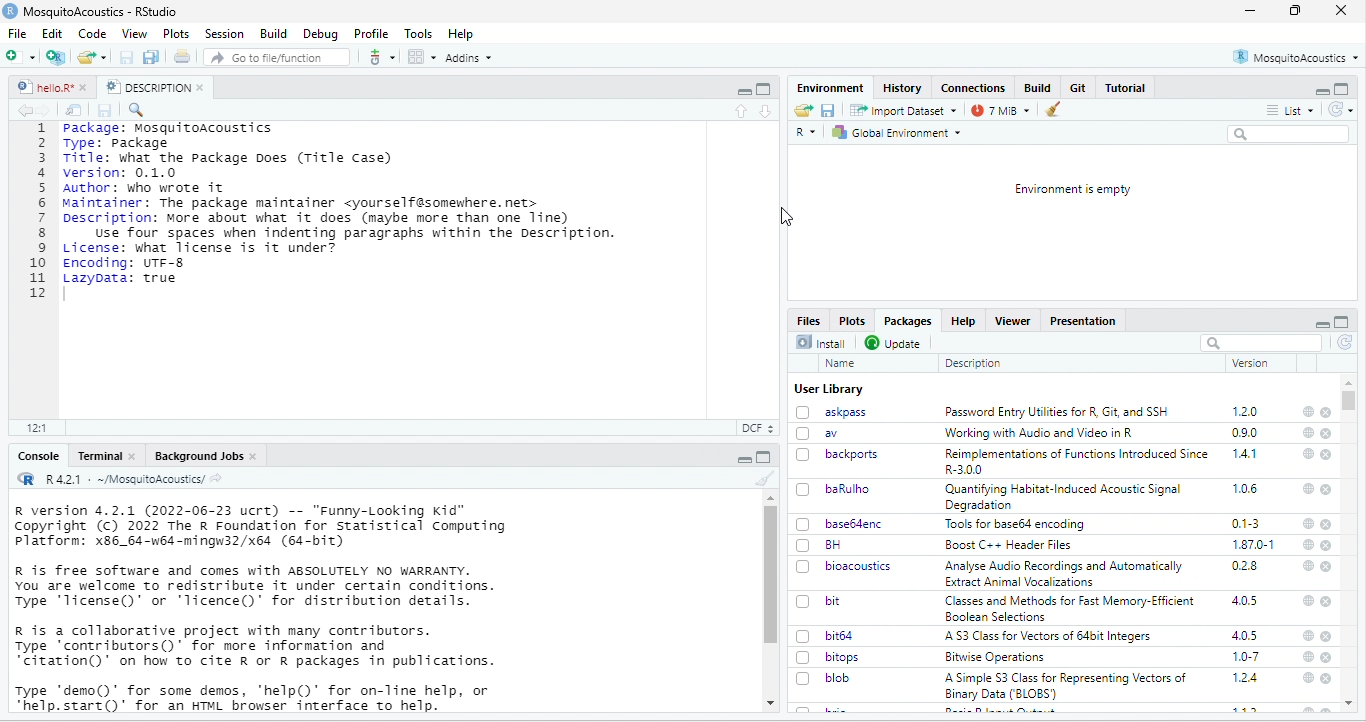 This screenshot has width=1366, height=722. Describe the element at coordinates (152, 57) in the screenshot. I see `save all open documents` at that location.